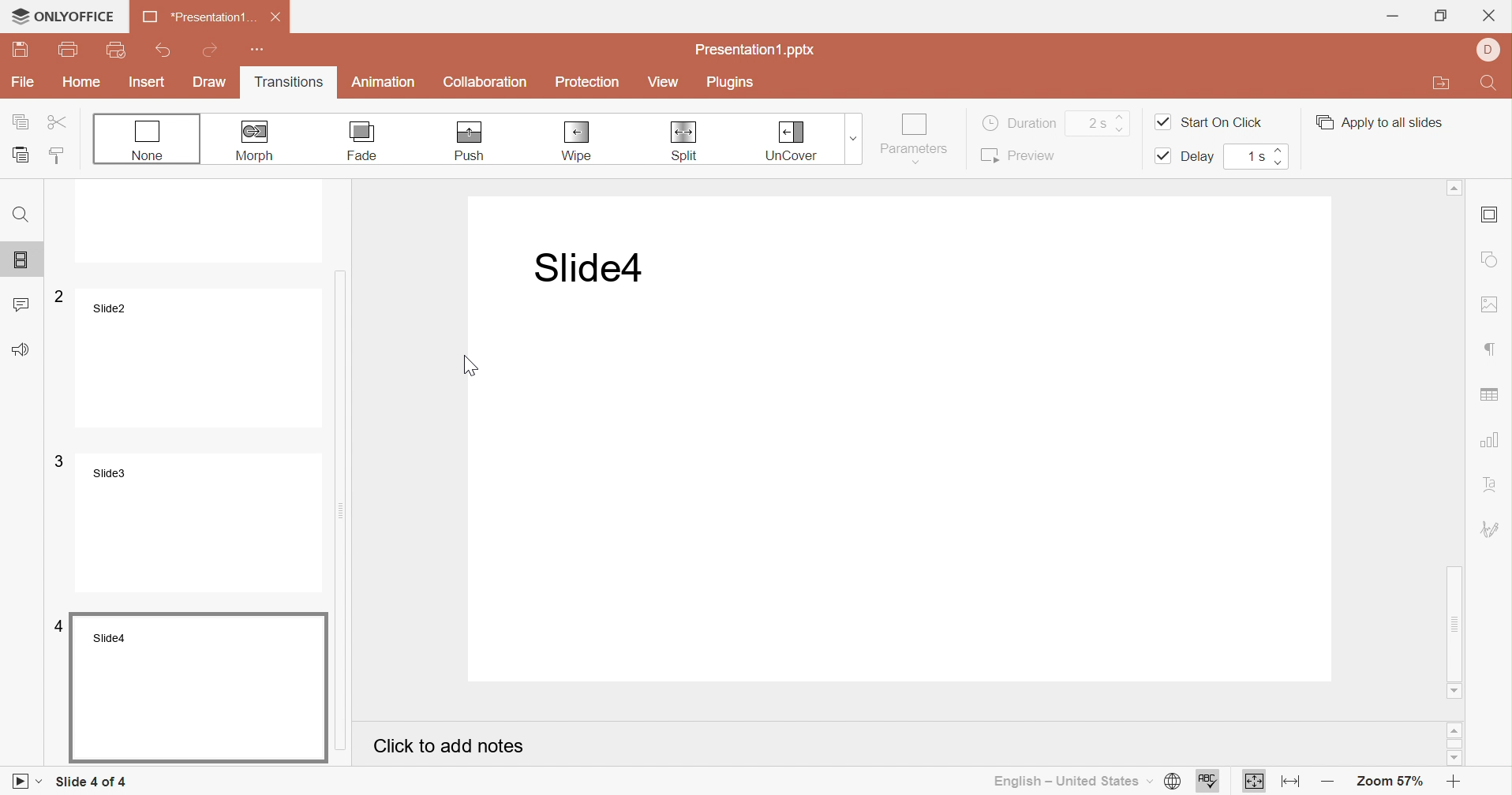  I want to click on Slide4, so click(199, 686).